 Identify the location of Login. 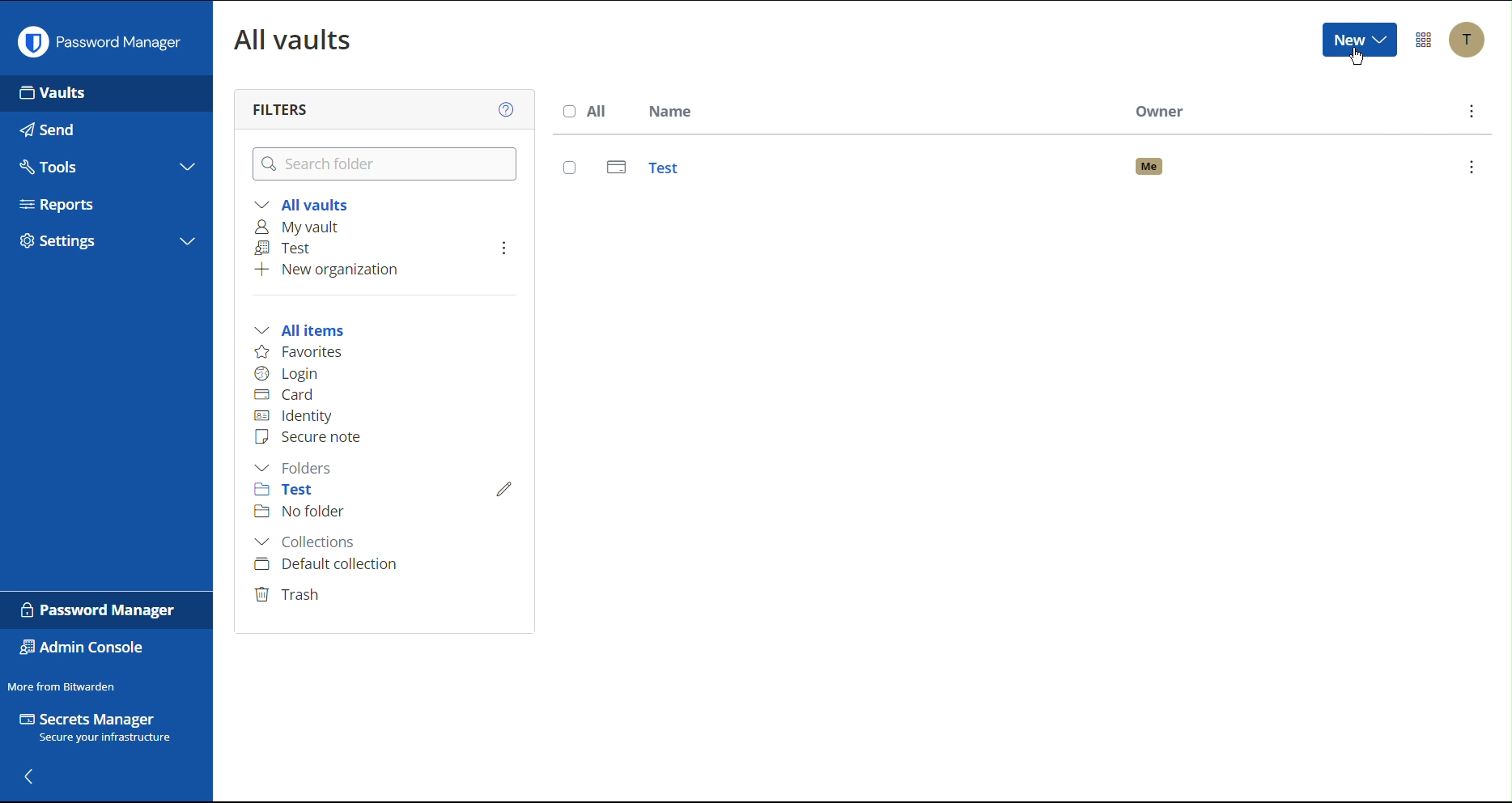
(287, 372).